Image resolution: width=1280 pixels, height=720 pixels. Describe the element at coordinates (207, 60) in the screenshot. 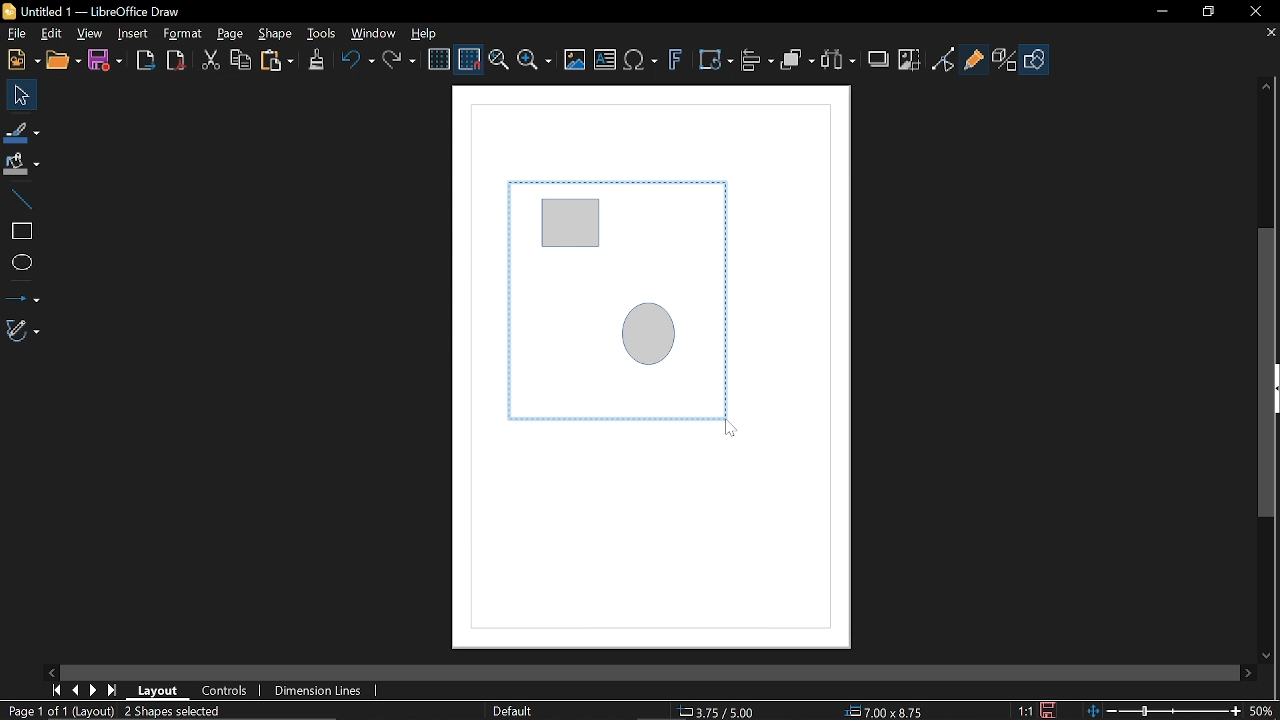

I see `Cut` at that location.